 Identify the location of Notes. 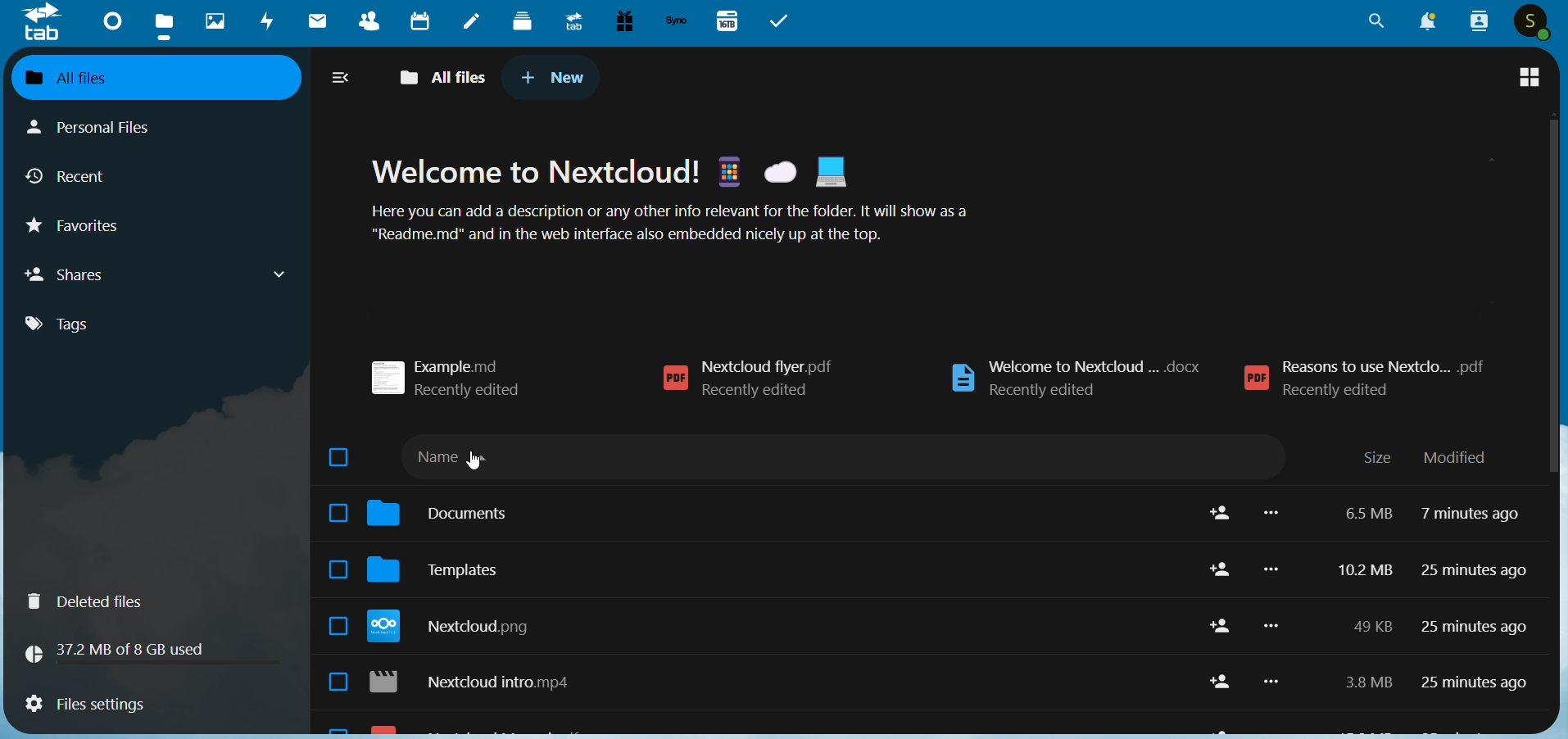
(473, 21).